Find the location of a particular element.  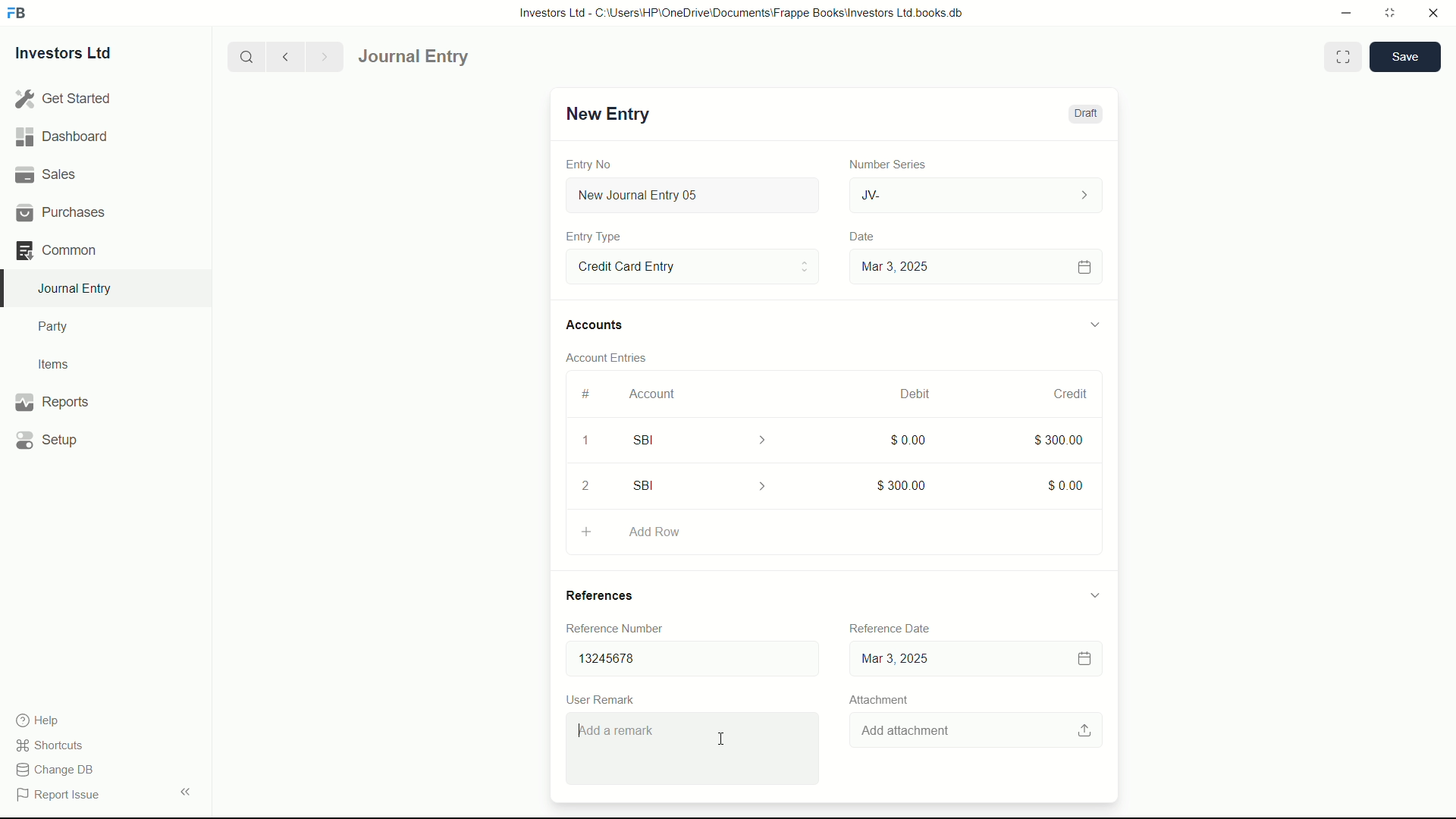

1 is located at coordinates (585, 443).